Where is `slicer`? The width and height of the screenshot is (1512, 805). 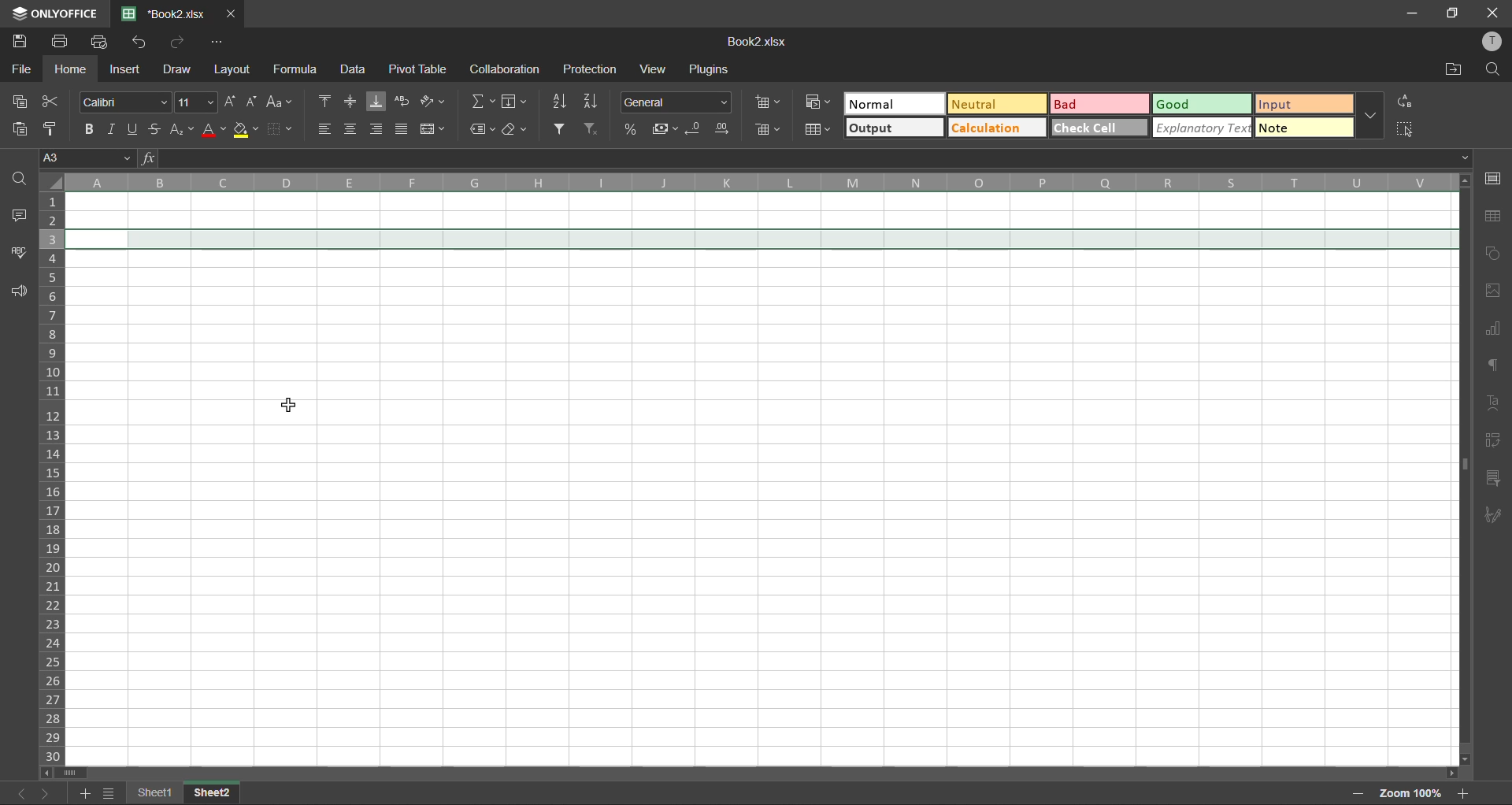 slicer is located at coordinates (1496, 477).